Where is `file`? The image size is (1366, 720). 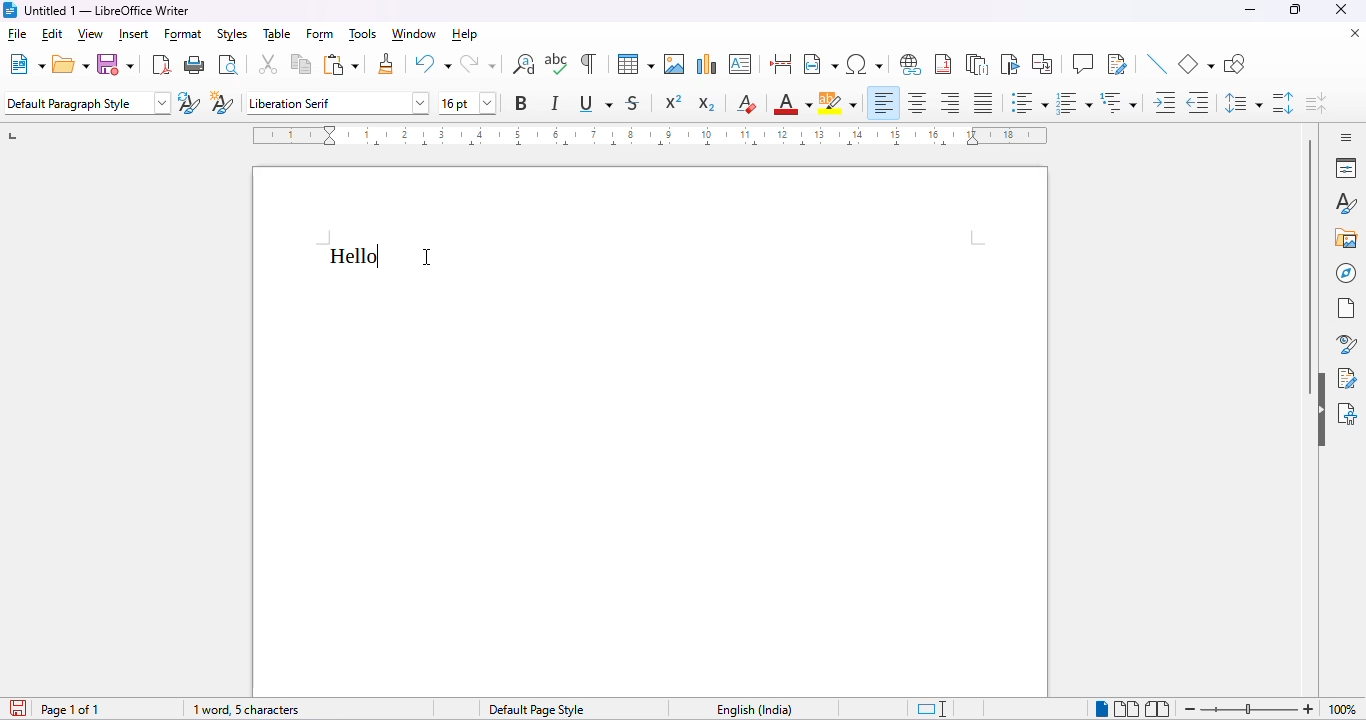 file is located at coordinates (16, 34).